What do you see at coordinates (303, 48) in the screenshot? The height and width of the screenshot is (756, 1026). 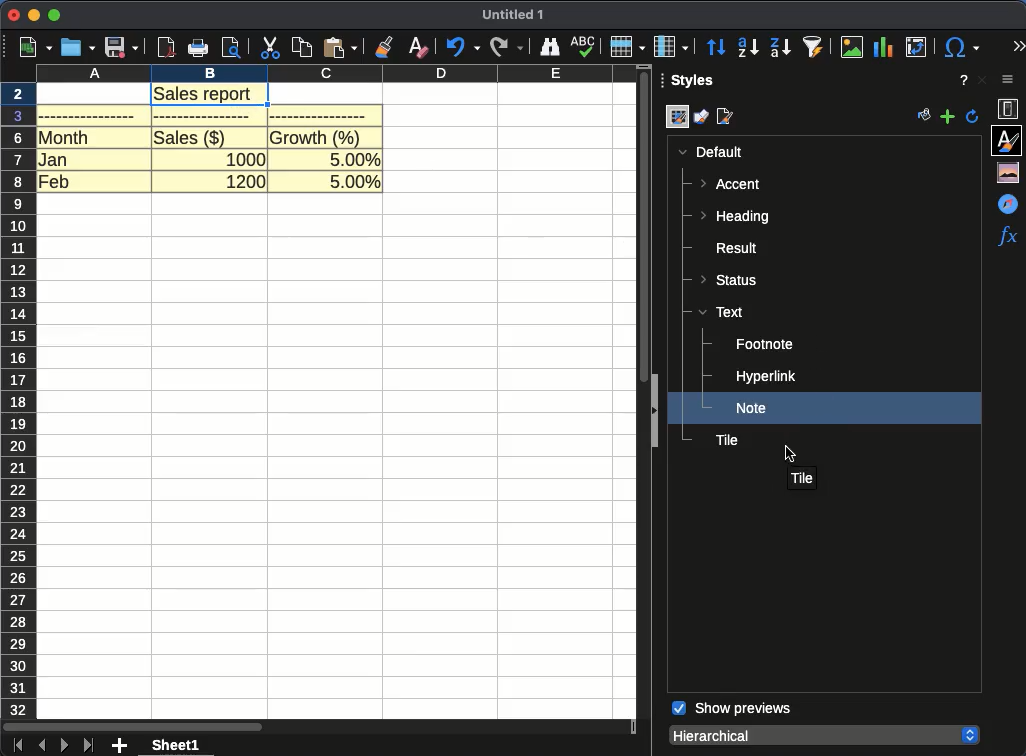 I see `copy` at bounding box center [303, 48].